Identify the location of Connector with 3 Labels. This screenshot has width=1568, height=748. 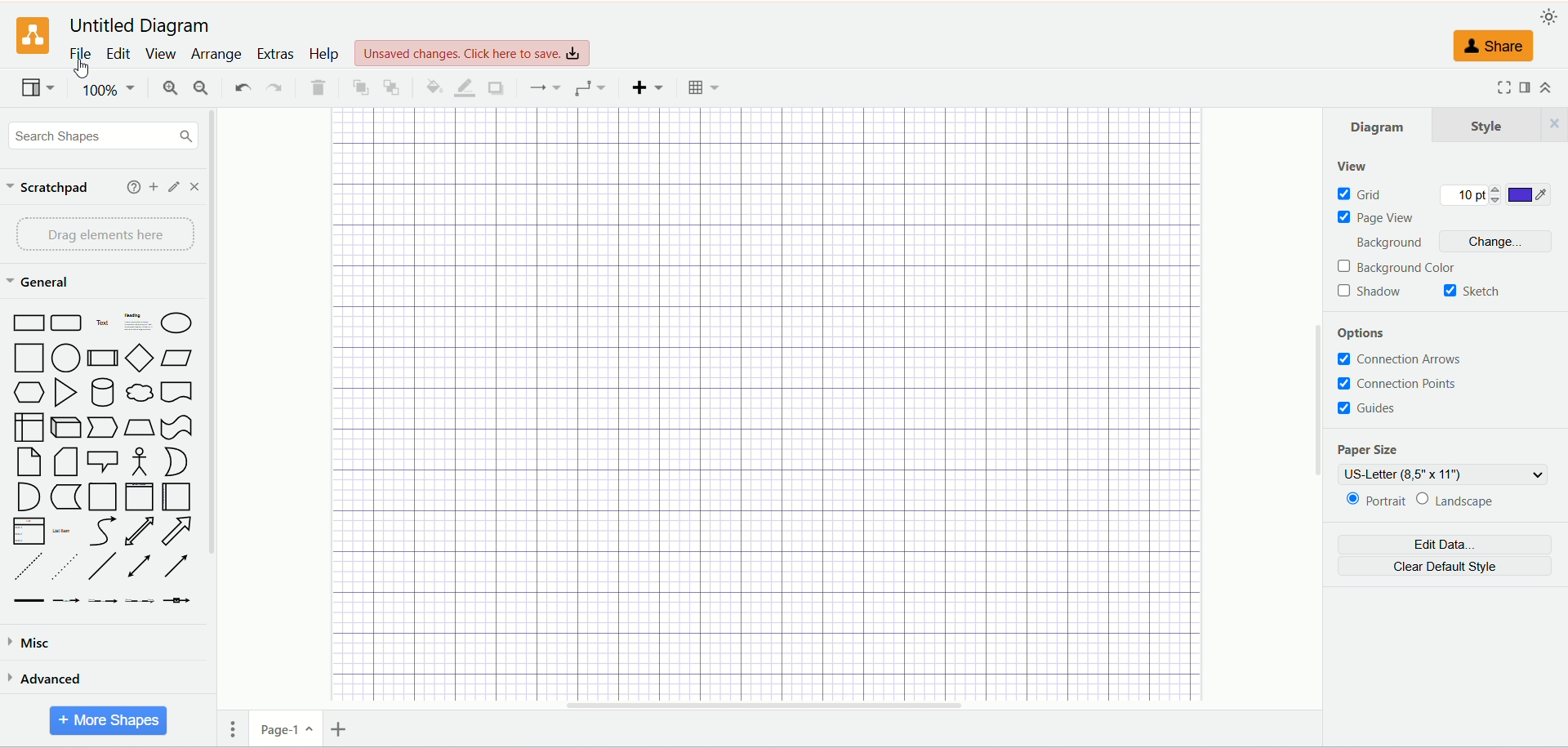
(141, 601).